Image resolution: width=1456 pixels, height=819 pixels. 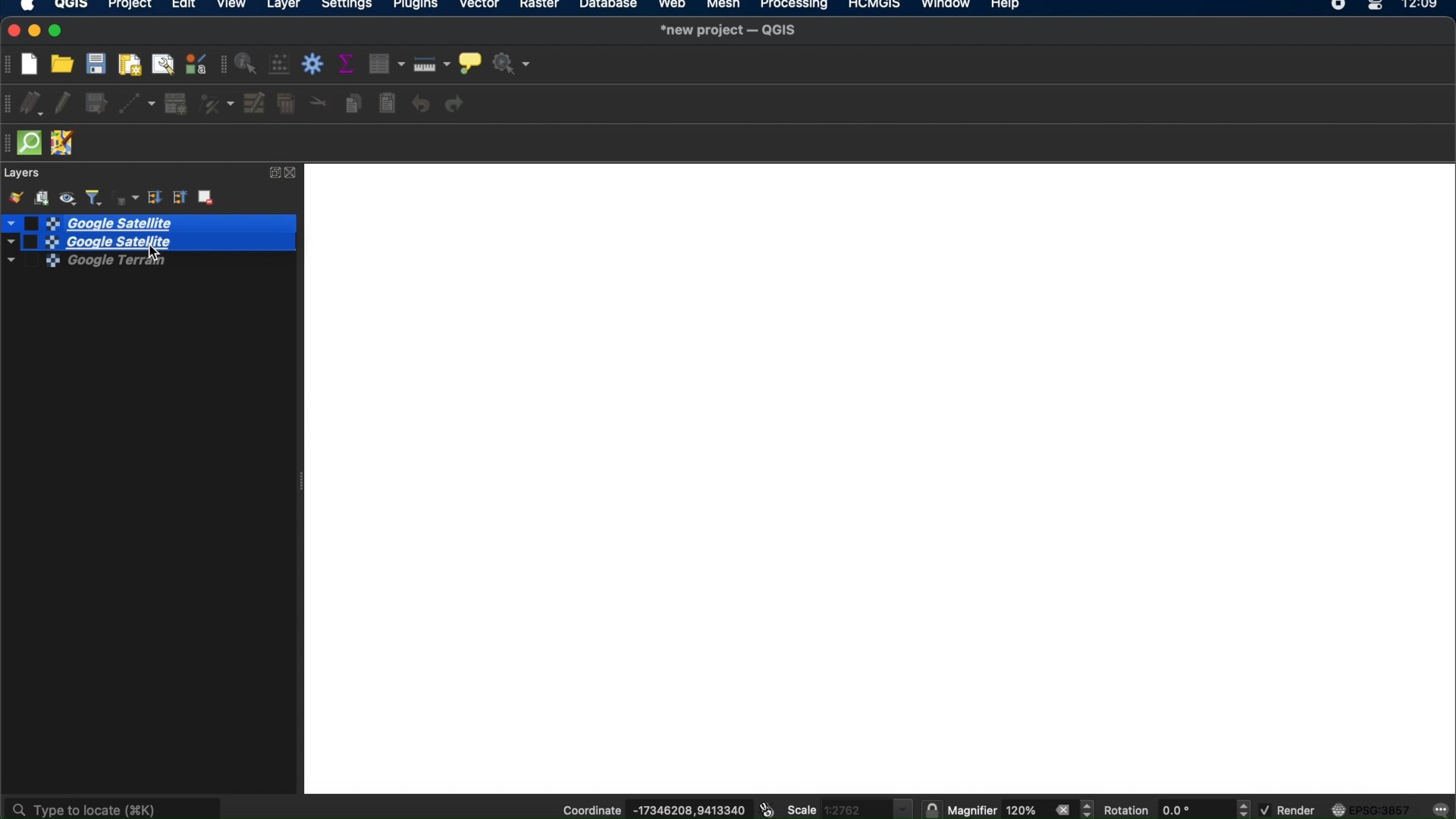 What do you see at coordinates (131, 64) in the screenshot?
I see `new print layout` at bounding box center [131, 64].